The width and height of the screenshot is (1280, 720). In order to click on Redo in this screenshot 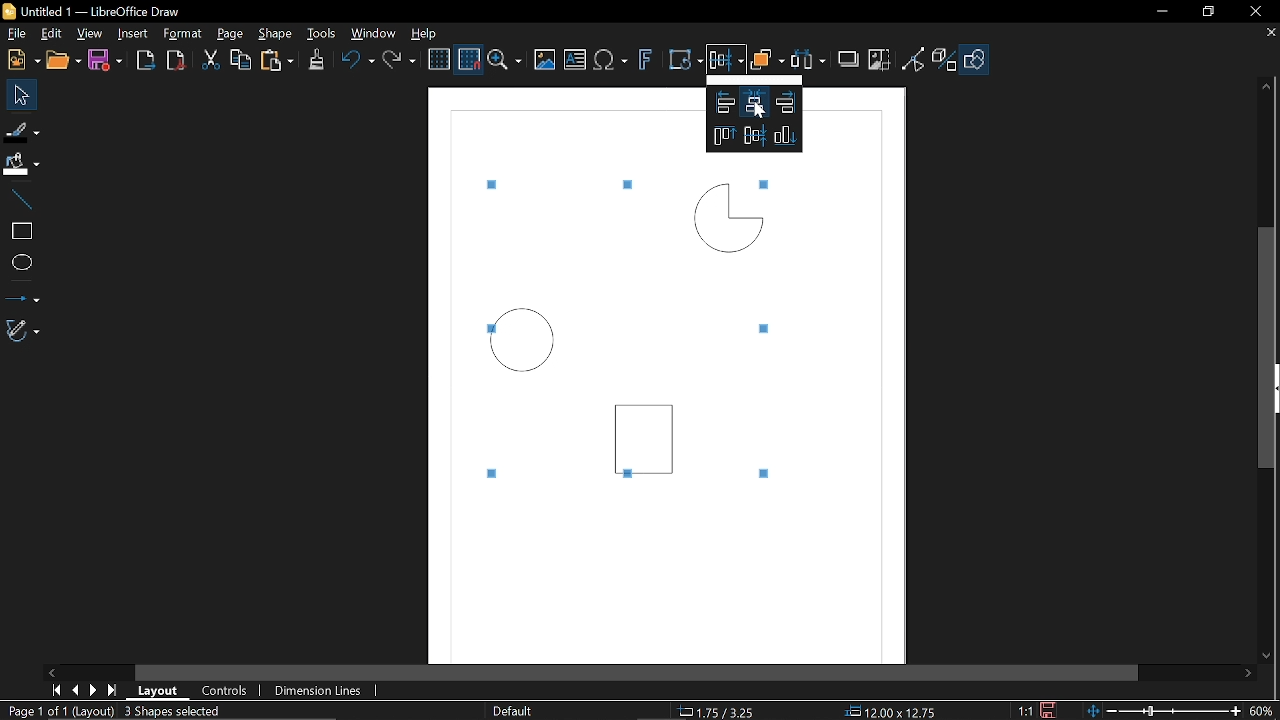, I will do `click(402, 61)`.